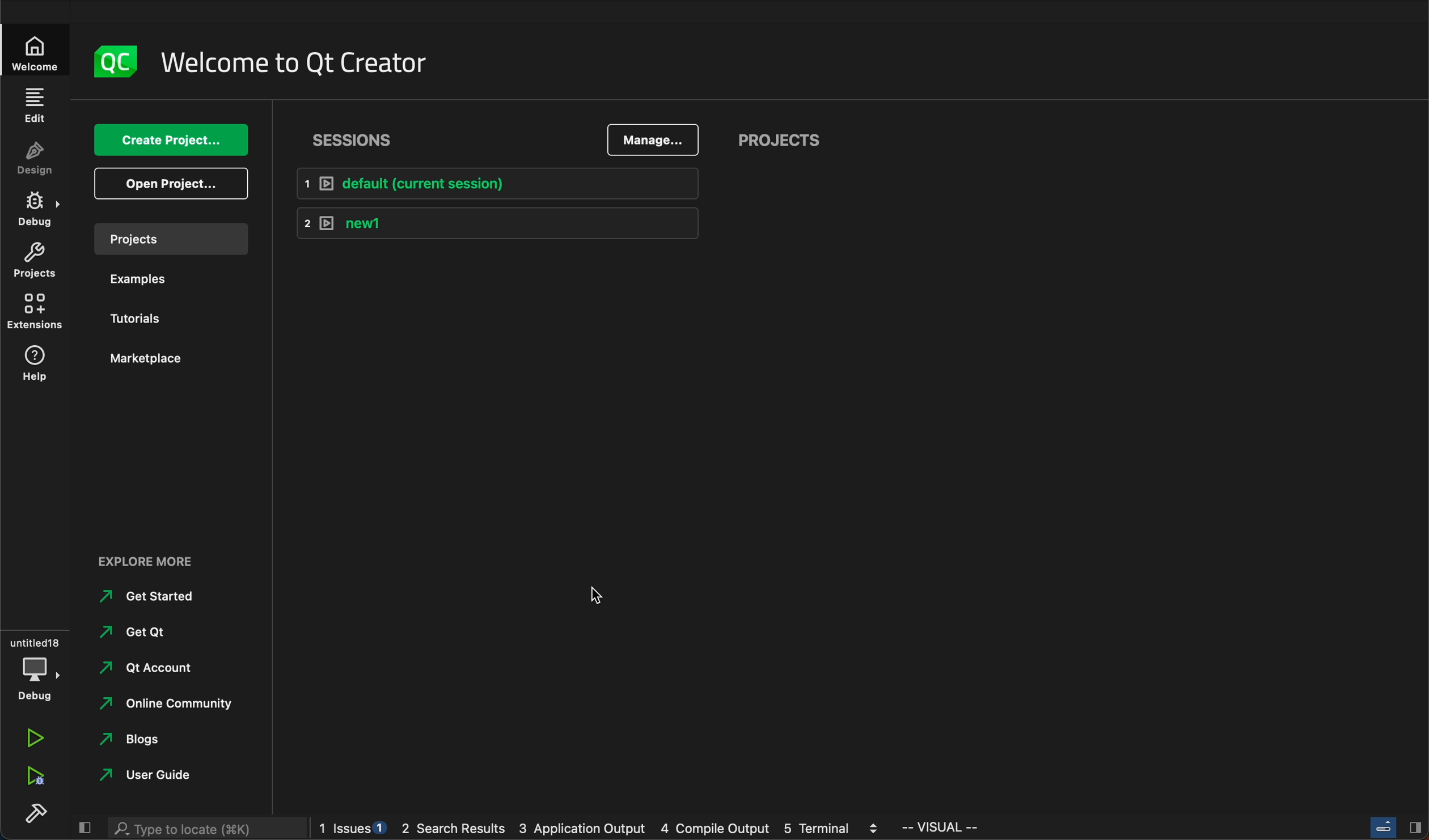  I want to click on projects, so click(785, 142).